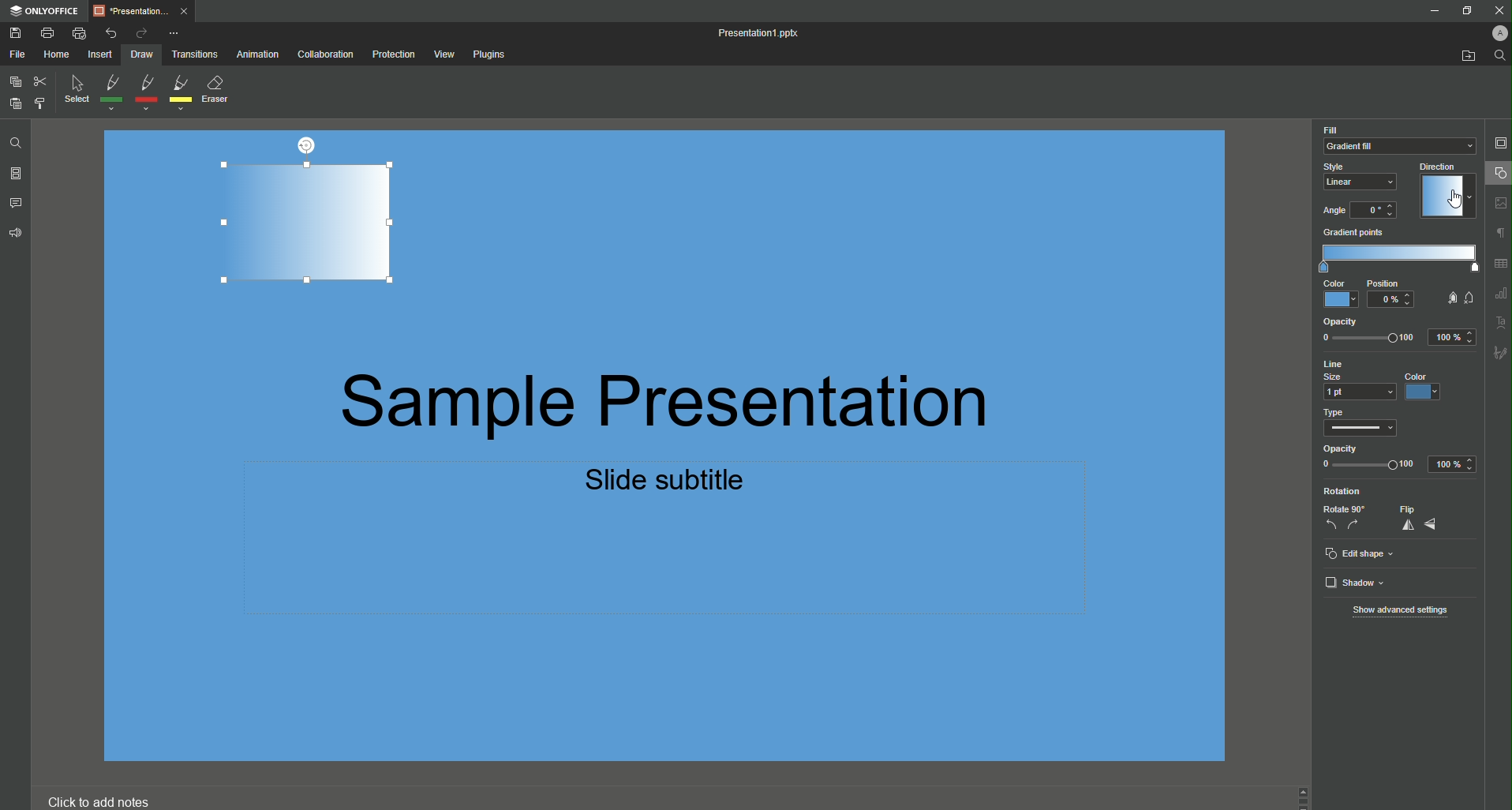  I want to click on Show Advanced Settings, so click(1399, 610).